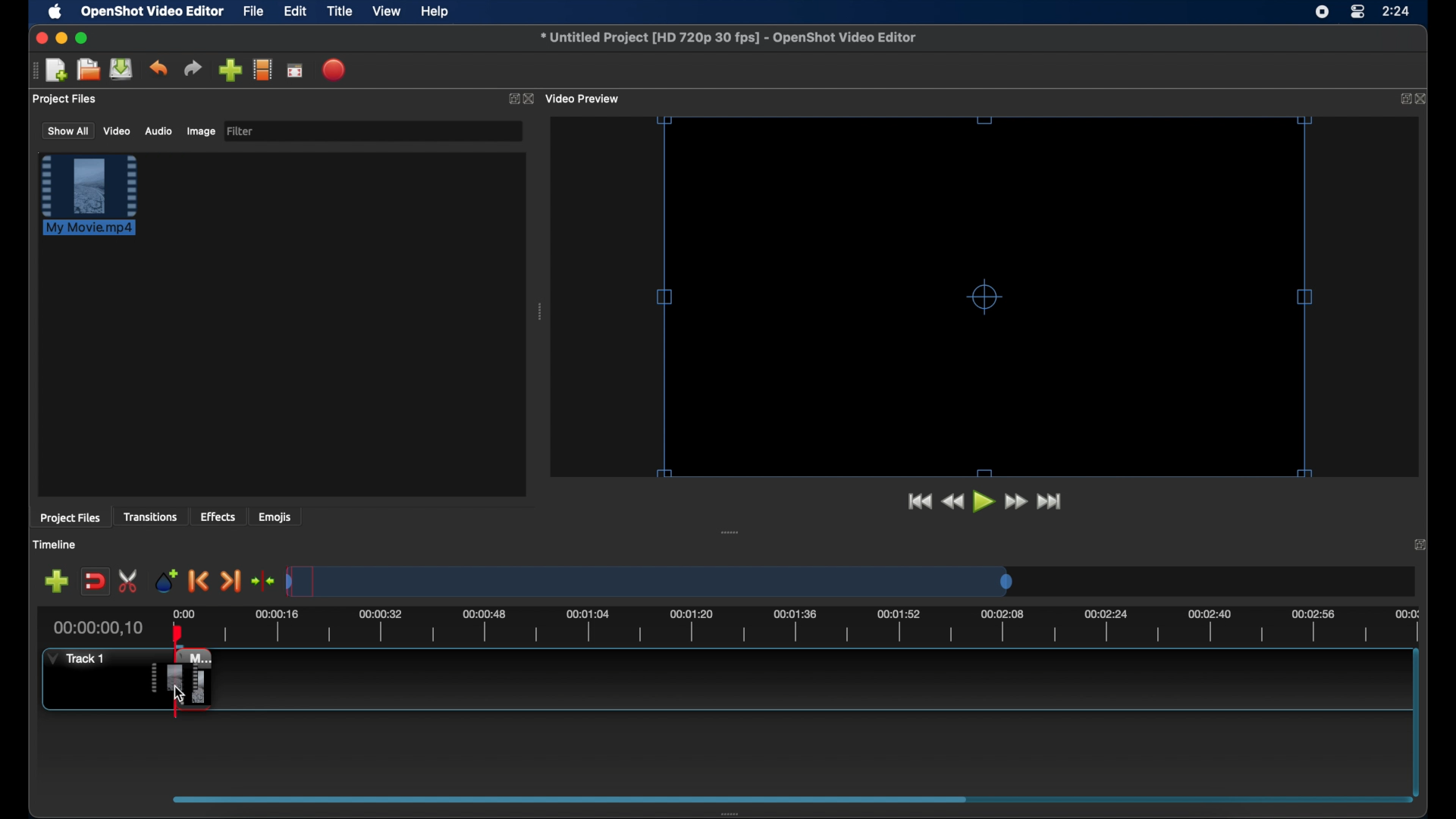 The height and width of the screenshot is (819, 1456). Describe the element at coordinates (55, 544) in the screenshot. I see `timeline` at that location.